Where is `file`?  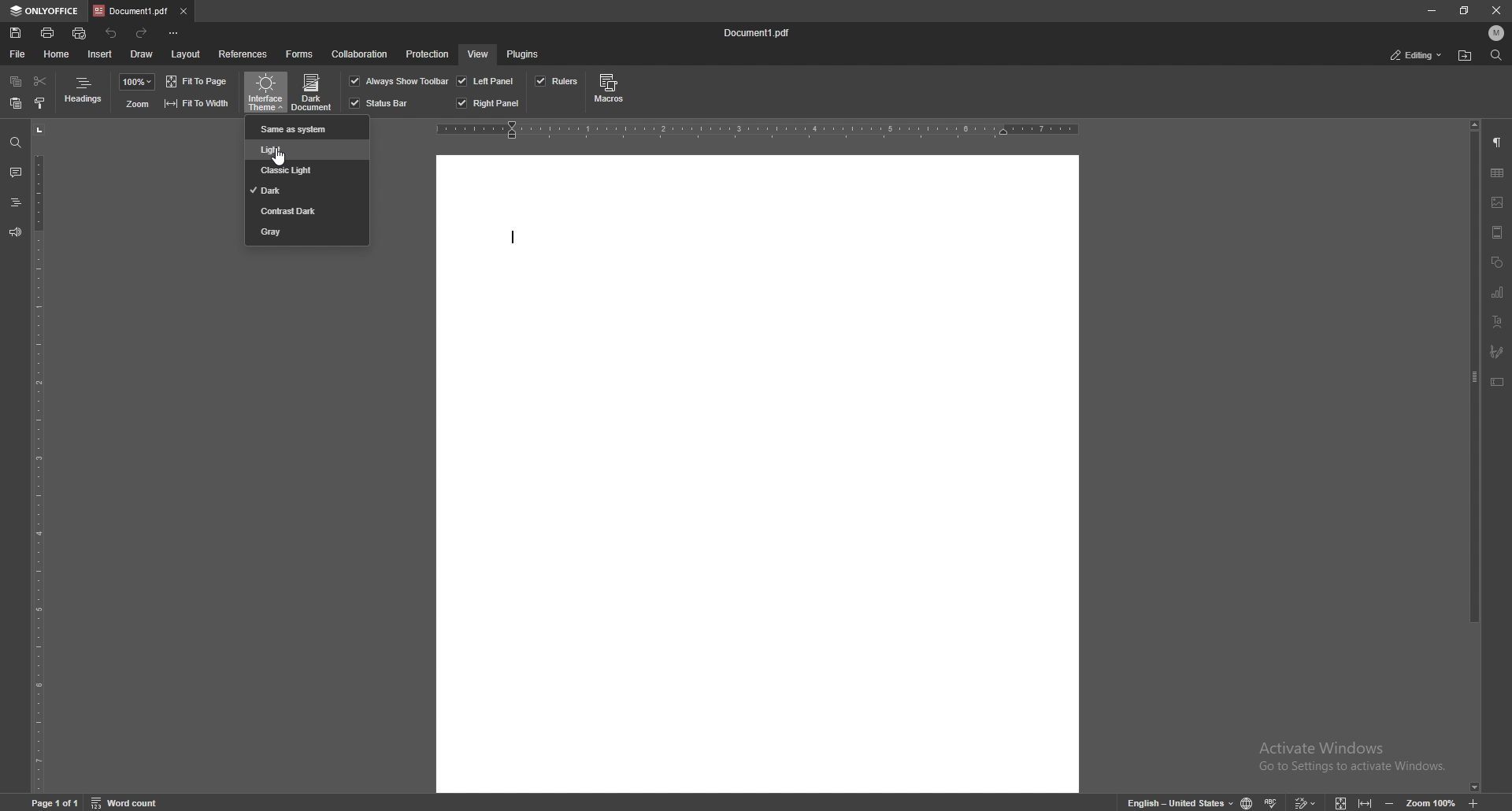 file is located at coordinates (18, 54).